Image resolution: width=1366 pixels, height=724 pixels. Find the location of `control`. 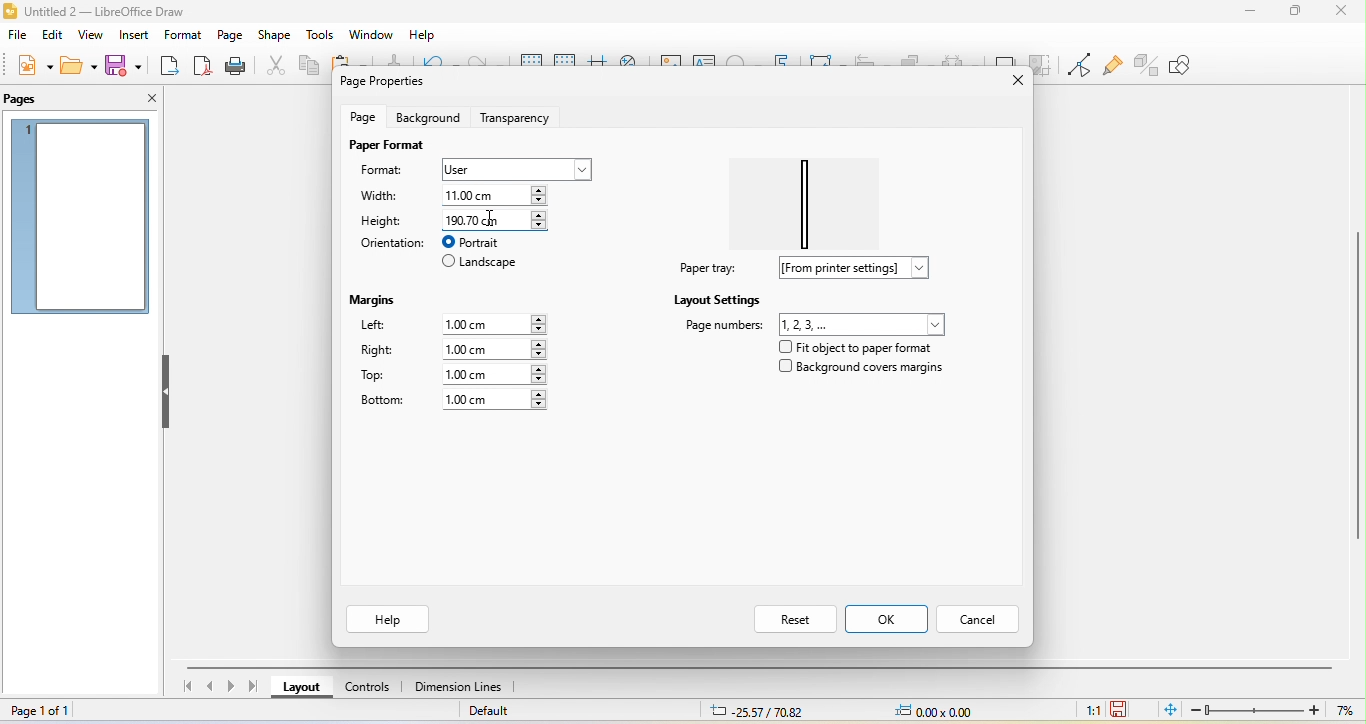

control is located at coordinates (368, 690).